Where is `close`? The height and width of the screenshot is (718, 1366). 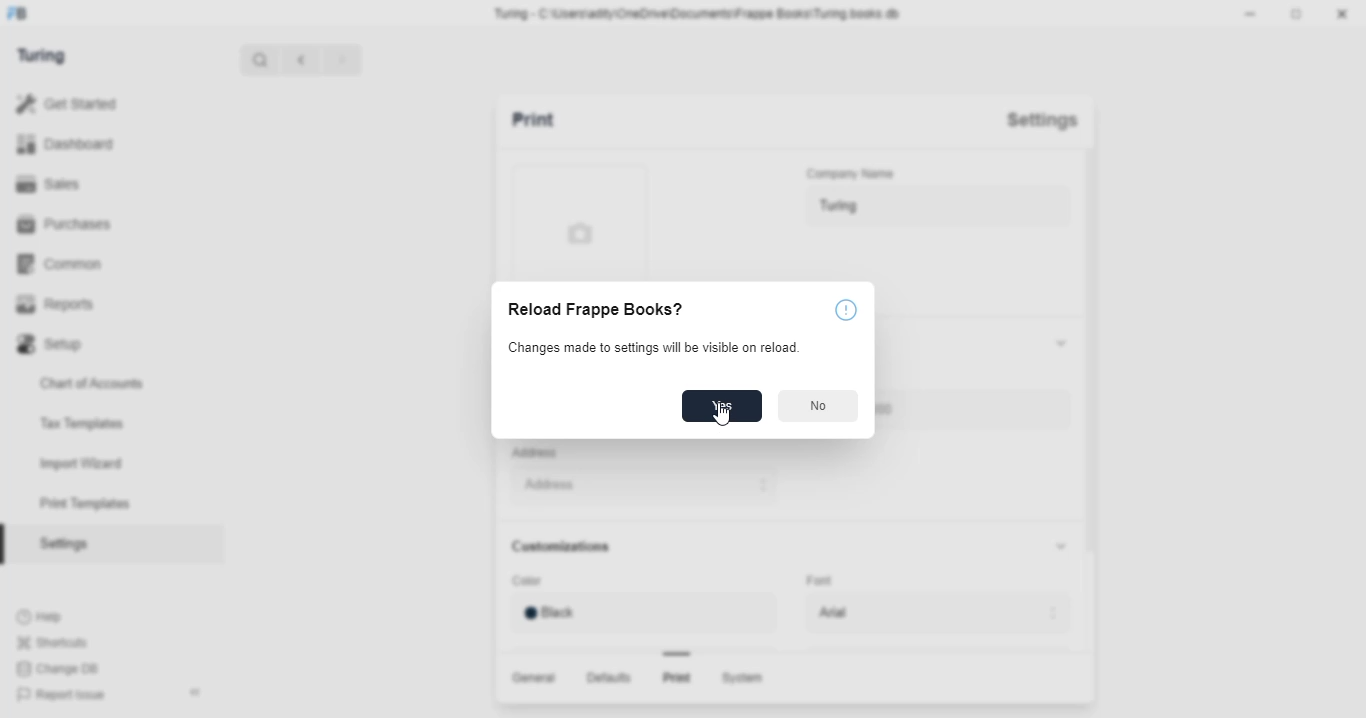 close is located at coordinates (1345, 15).